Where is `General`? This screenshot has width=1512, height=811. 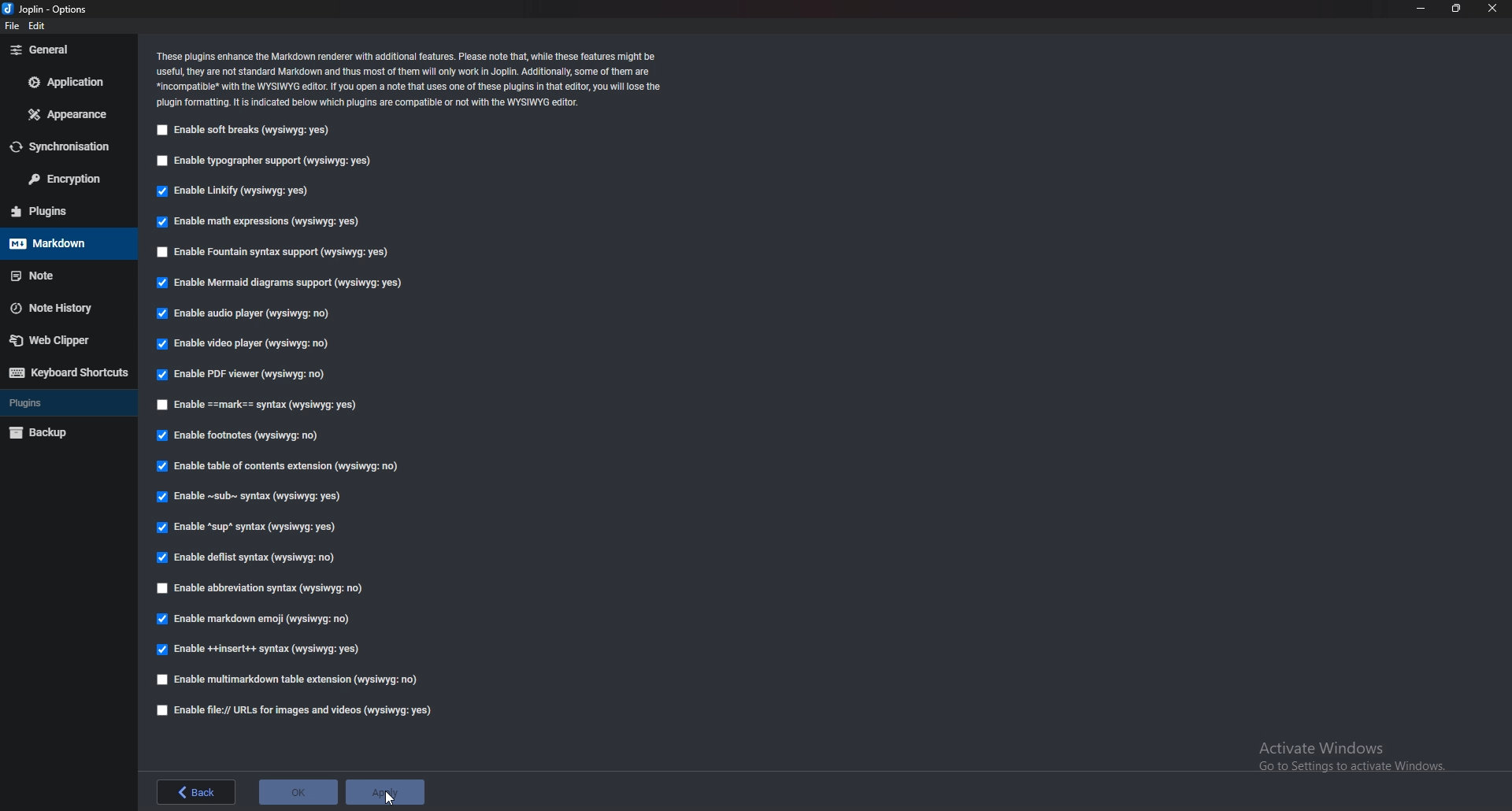
General is located at coordinates (65, 50).